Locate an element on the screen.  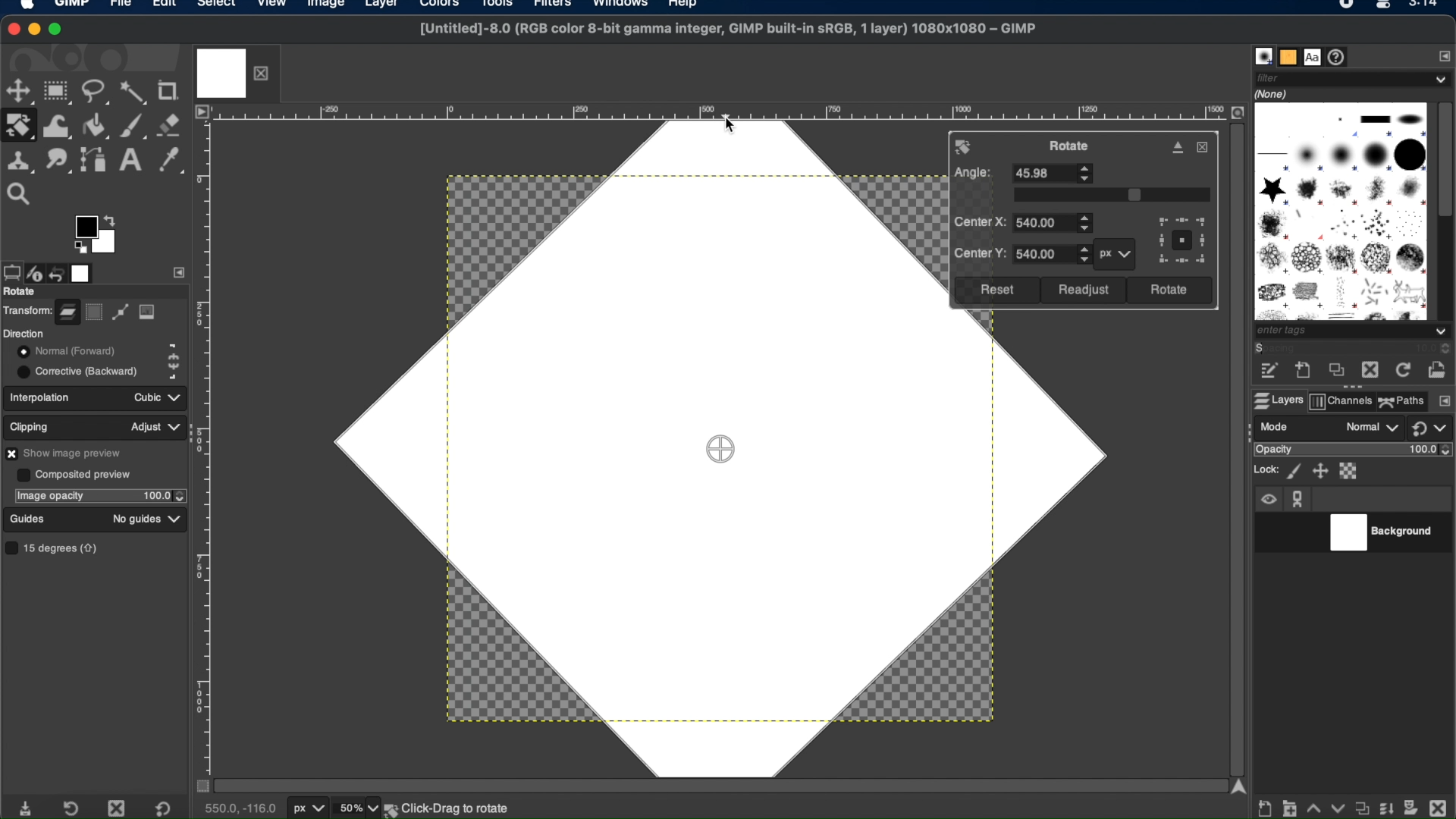
filter dropdown is located at coordinates (1353, 78).